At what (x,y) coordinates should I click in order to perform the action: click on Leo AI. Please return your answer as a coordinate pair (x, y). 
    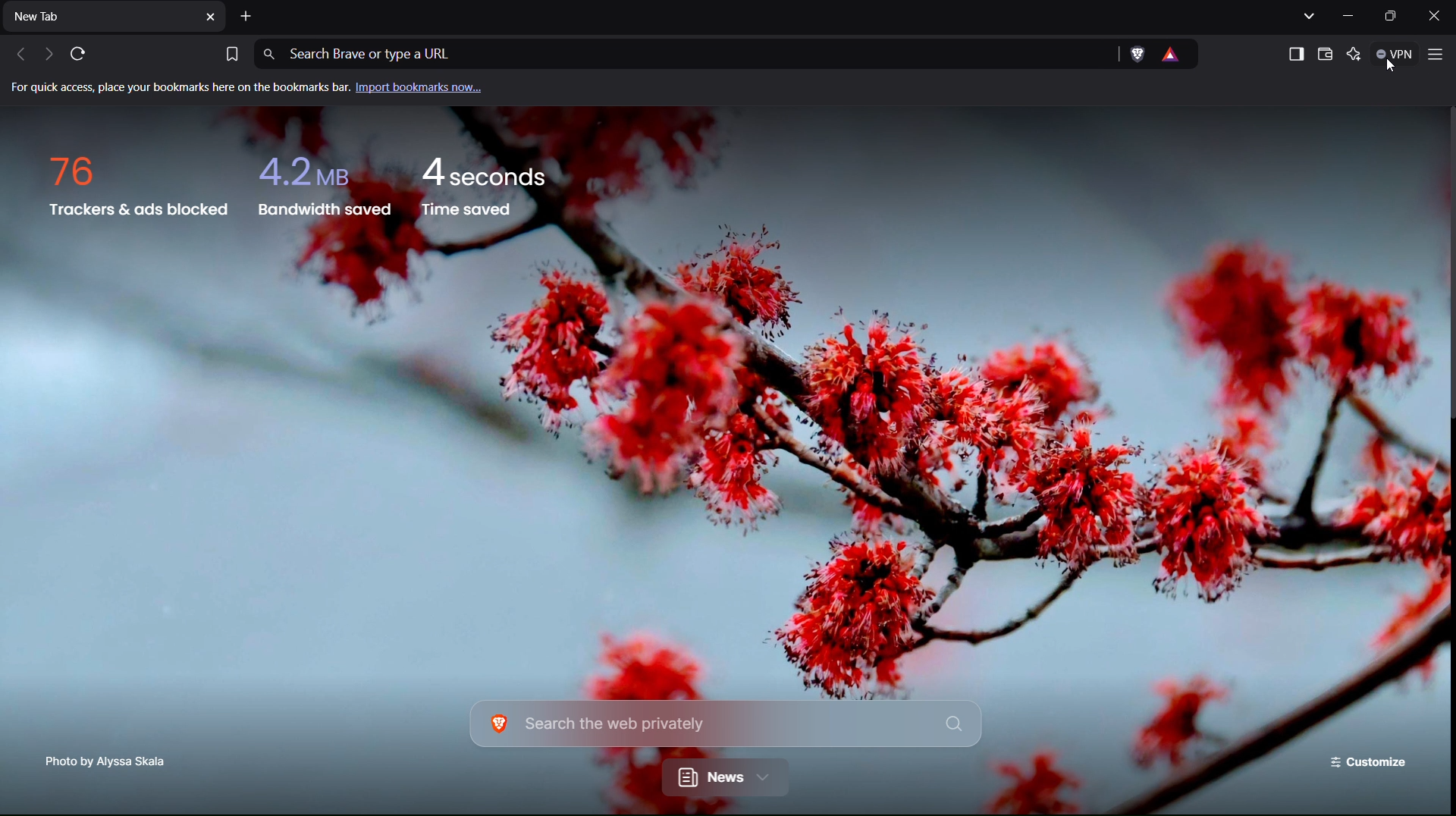
    Looking at the image, I should click on (1352, 53).